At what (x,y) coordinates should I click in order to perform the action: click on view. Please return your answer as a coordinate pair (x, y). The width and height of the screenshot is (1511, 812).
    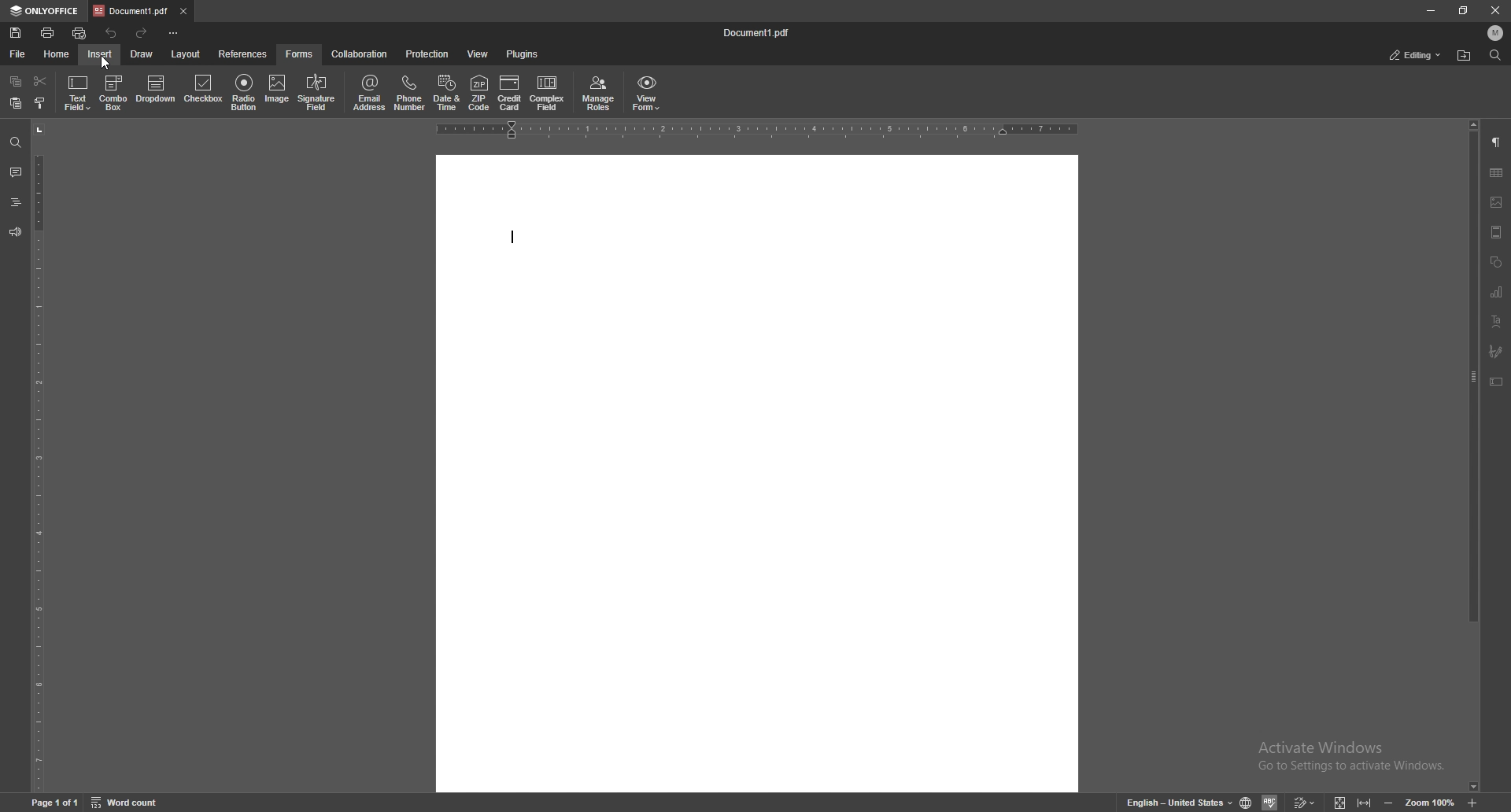
    Looking at the image, I should click on (478, 54).